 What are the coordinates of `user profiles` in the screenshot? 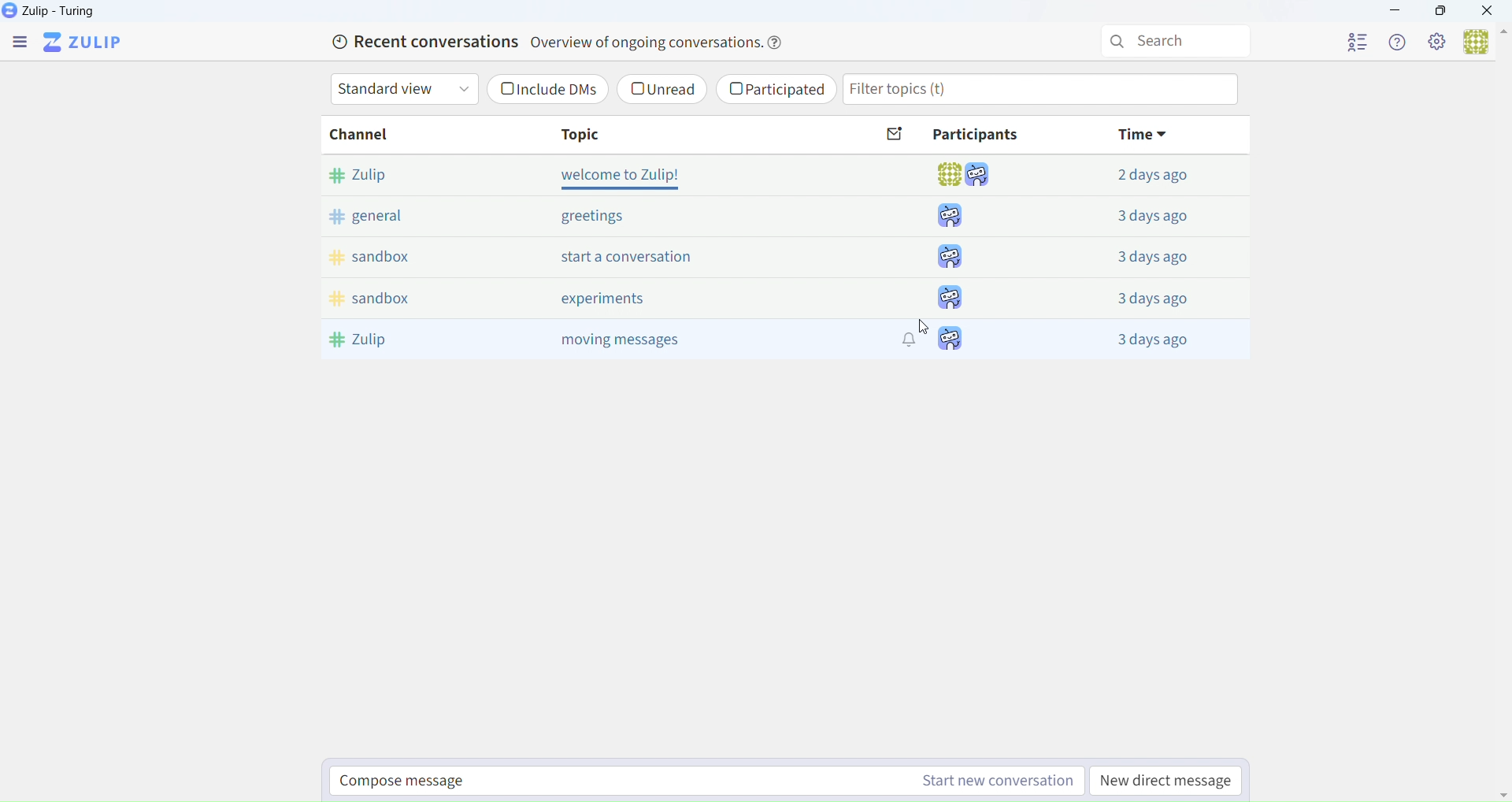 It's located at (957, 258).